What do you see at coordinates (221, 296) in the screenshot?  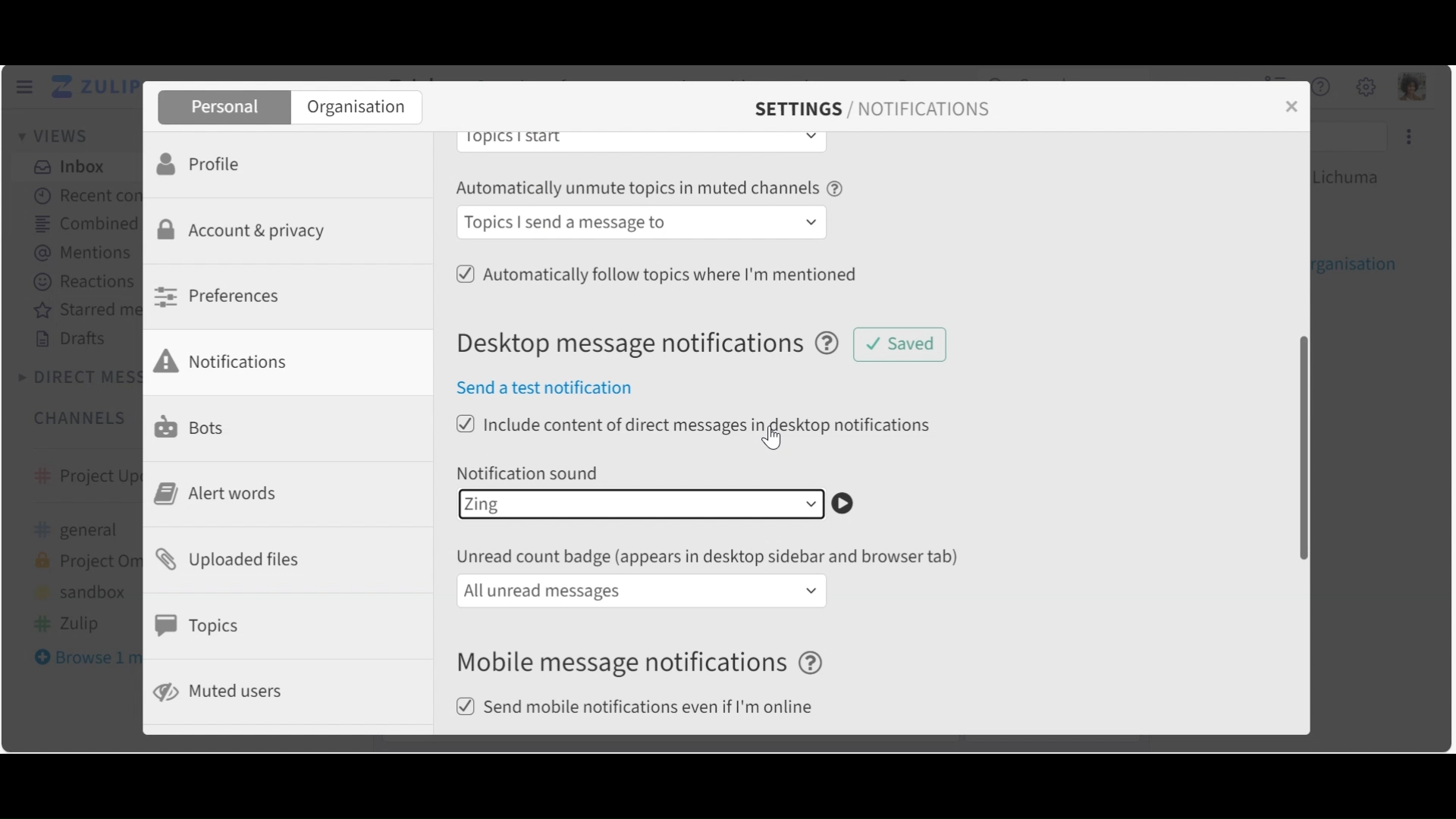 I see `Preferences` at bounding box center [221, 296].